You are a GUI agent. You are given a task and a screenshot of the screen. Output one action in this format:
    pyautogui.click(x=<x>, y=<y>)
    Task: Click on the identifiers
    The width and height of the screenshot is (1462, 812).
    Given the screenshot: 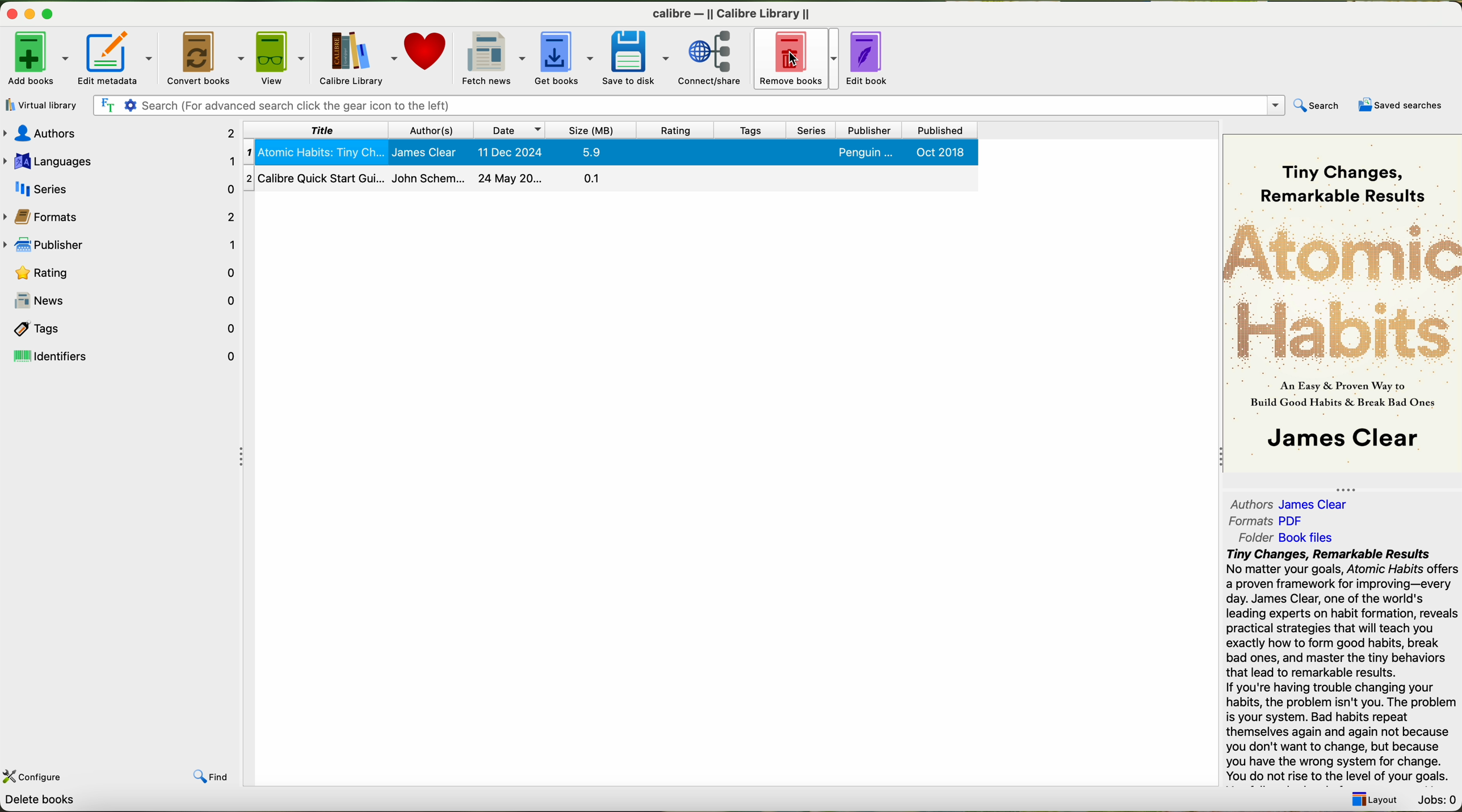 What is the action you would take?
    pyautogui.click(x=121, y=357)
    